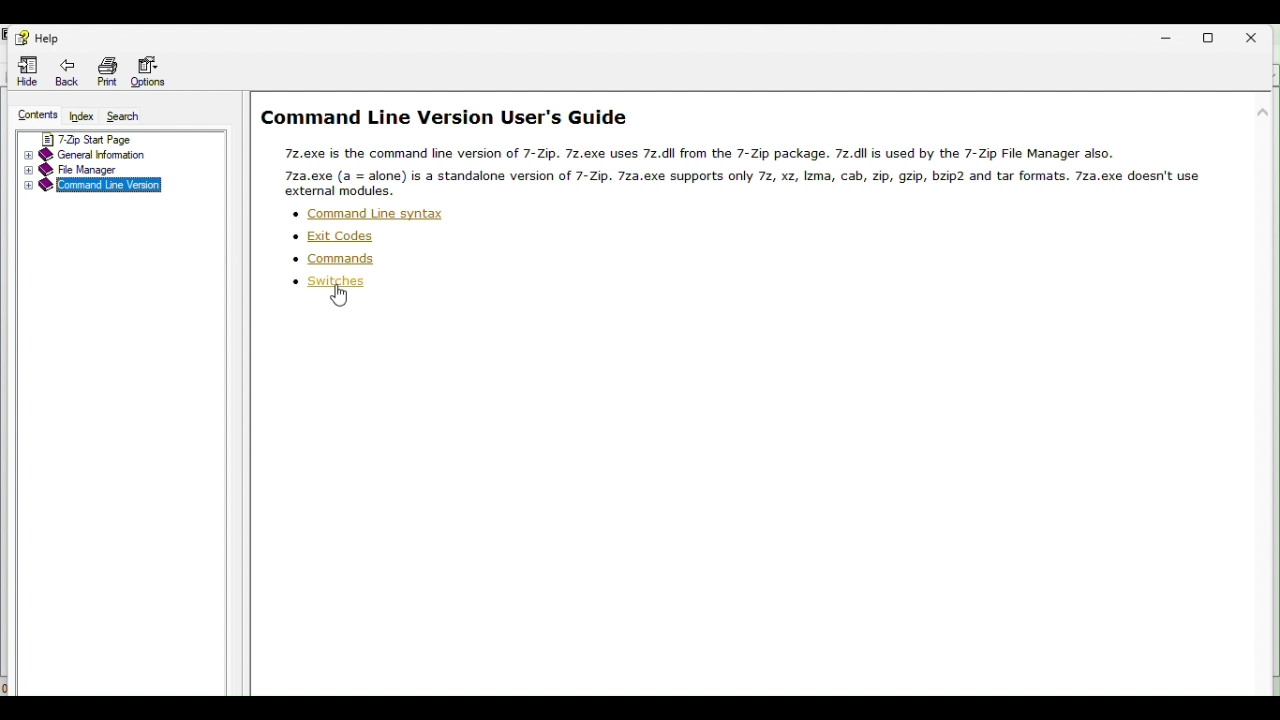 This screenshot has height=720, width=1280. I want to click on expand, so click(26, 172).